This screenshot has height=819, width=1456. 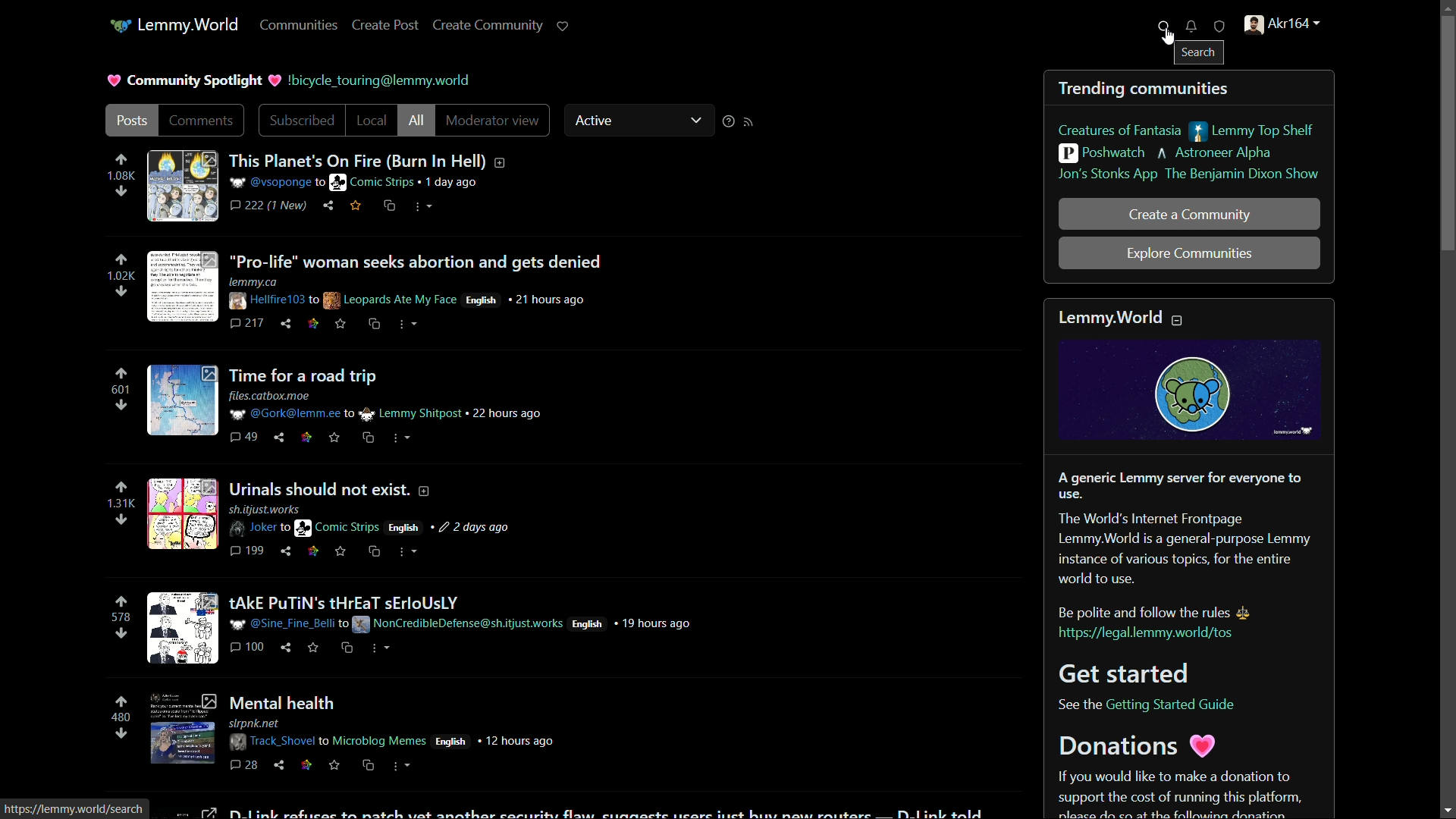 What do you see at coordinates (1191, 557) in the screenshot?
I see `about lemmy.world` at bounding box center [1191, 557].